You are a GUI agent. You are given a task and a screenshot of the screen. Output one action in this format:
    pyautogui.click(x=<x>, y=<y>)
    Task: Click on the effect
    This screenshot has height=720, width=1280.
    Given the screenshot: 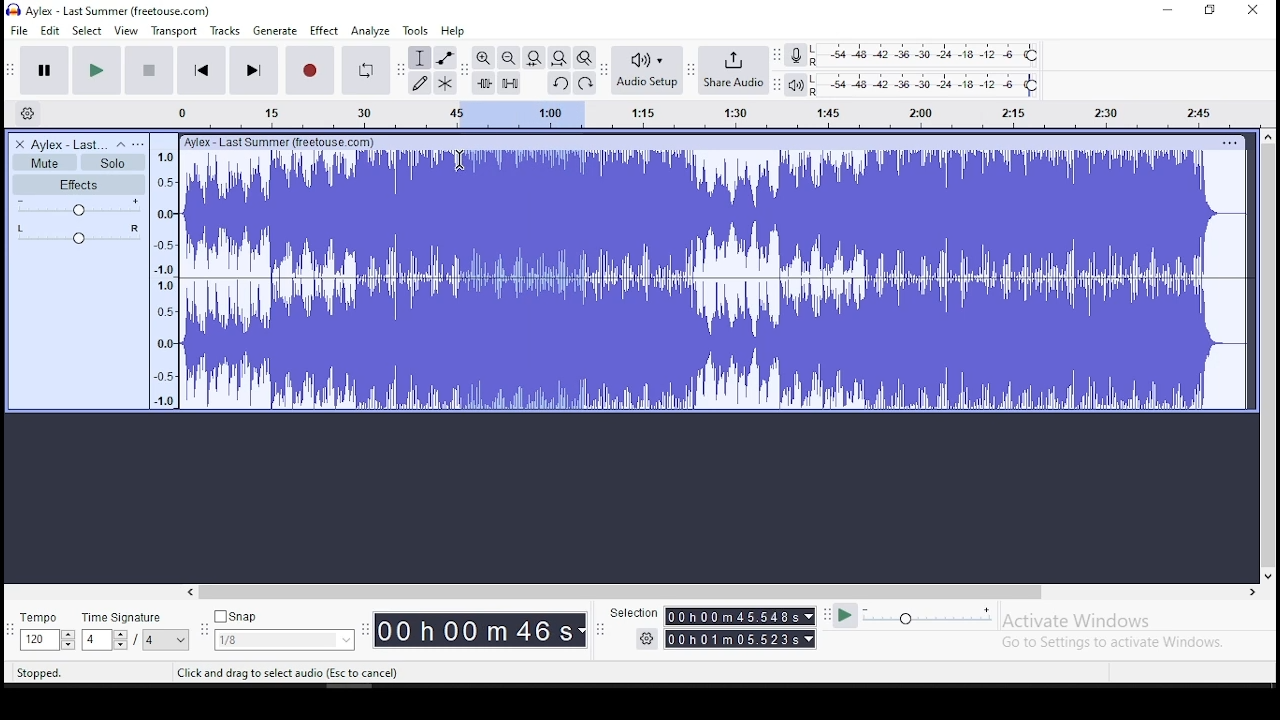 What is the action you would take?
    pyautogui.click(x=324, y=31)
    